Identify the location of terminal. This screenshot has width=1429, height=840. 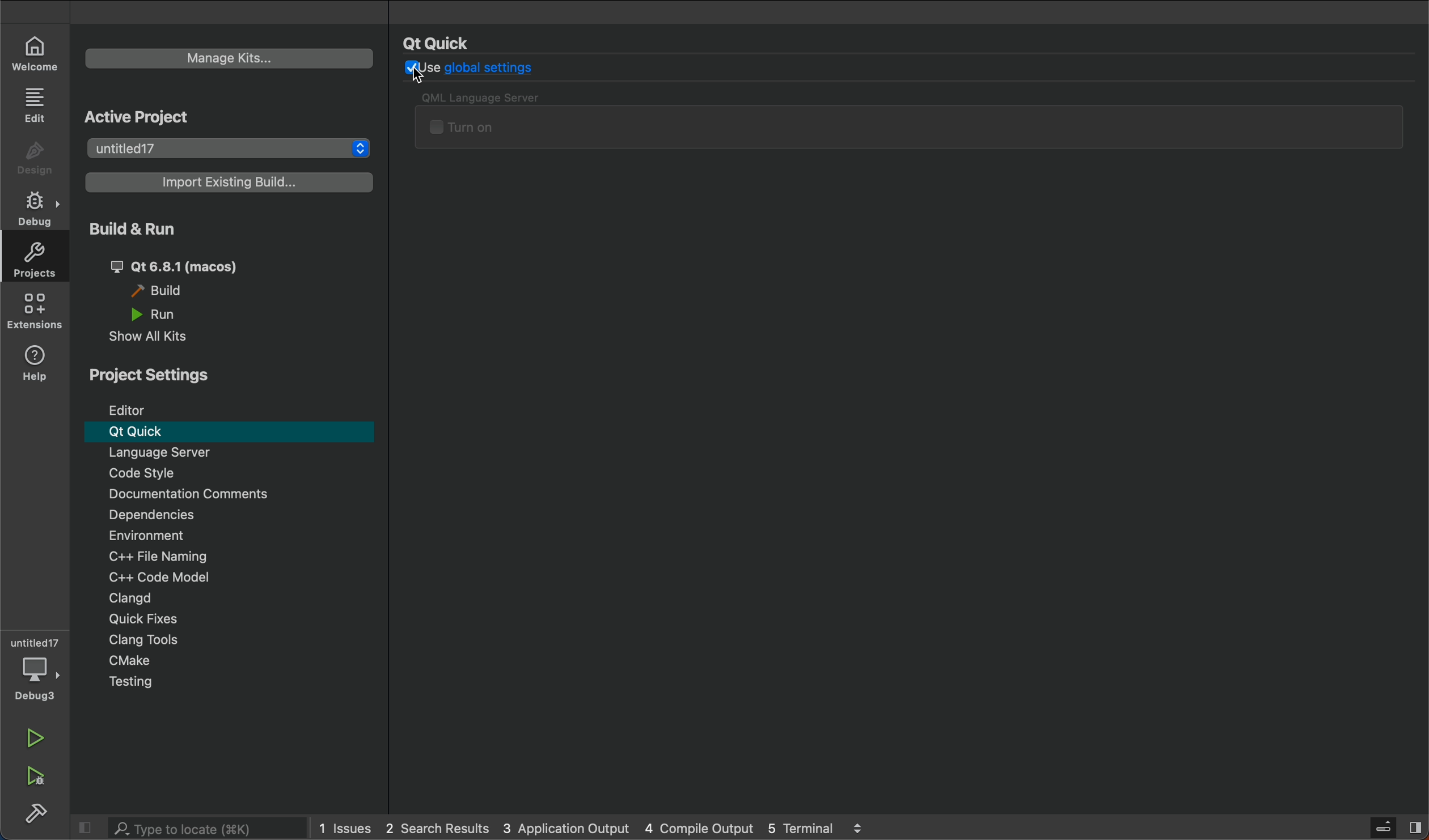
(825, 828).